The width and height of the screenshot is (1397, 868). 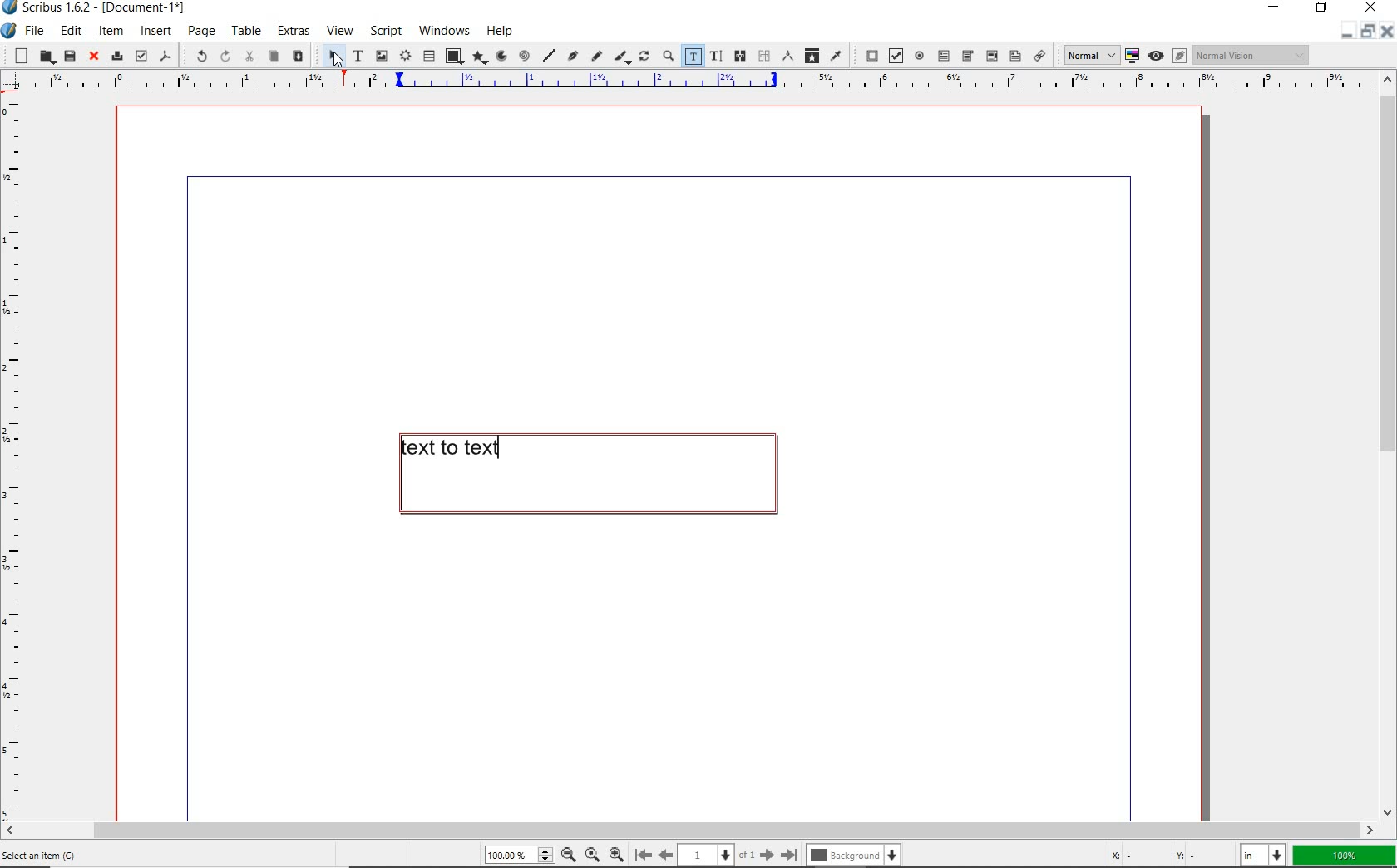 What do you see at coordinates (17, 55) in the screenshot?
I see `new` at bounding box center [17, 55].